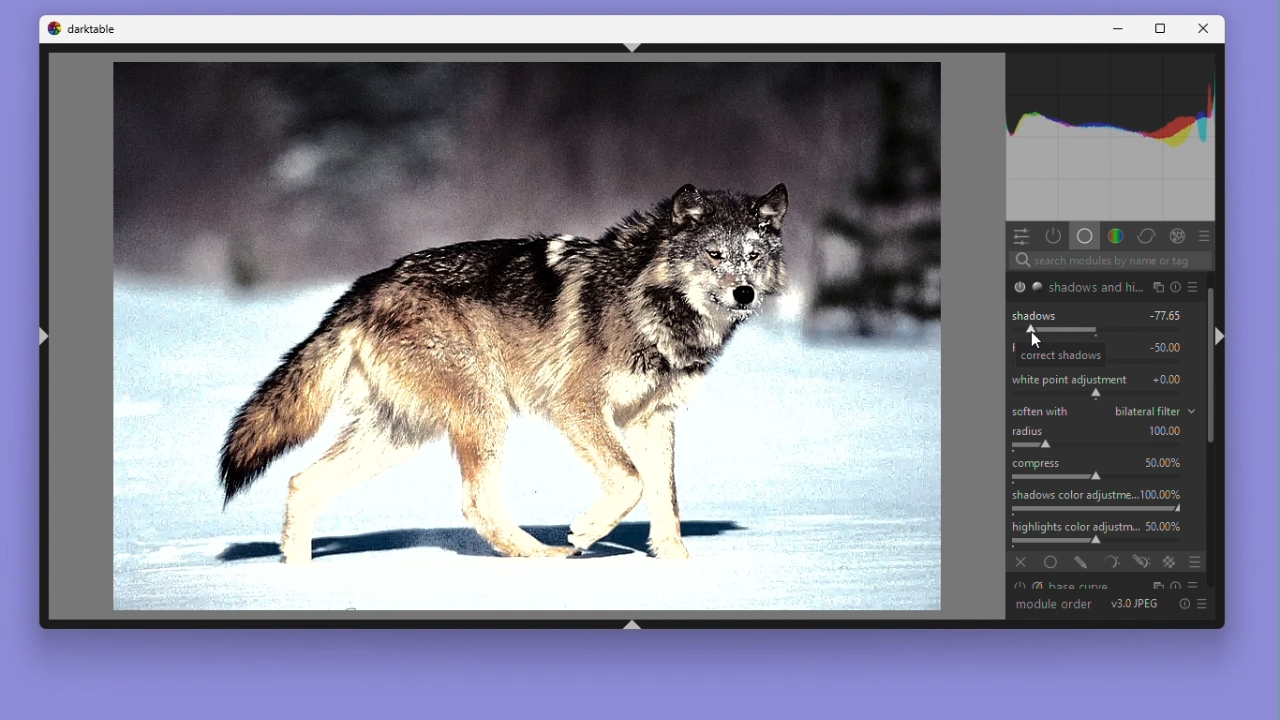 This screenshot has height=720, width=1280. What do you see at coordinates (1059, 357) in the screenshot?
I see `correct shadows` at bounding box center [1059, 357].